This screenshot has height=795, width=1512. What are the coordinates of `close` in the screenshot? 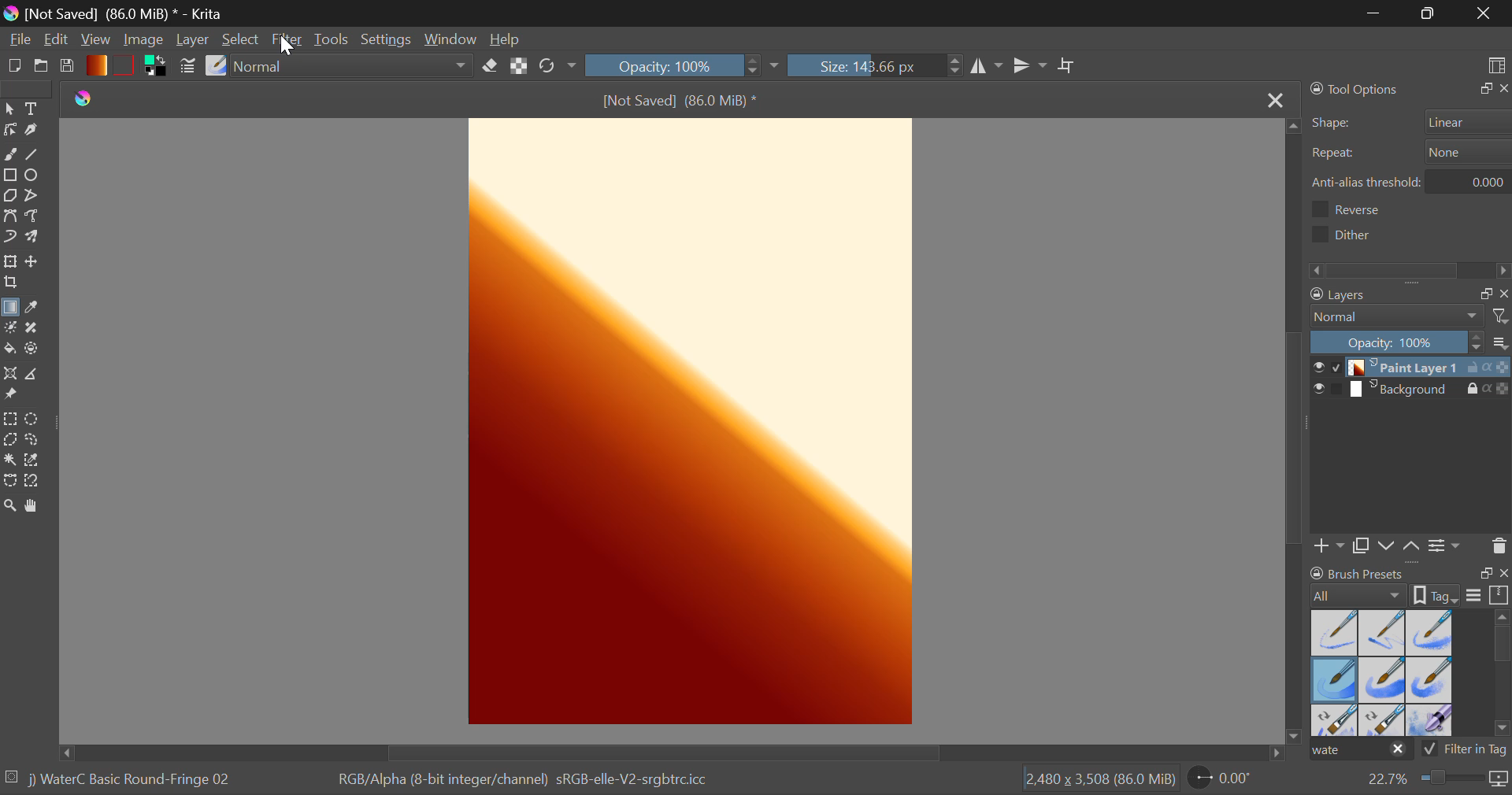 It's located at (1503, 575).